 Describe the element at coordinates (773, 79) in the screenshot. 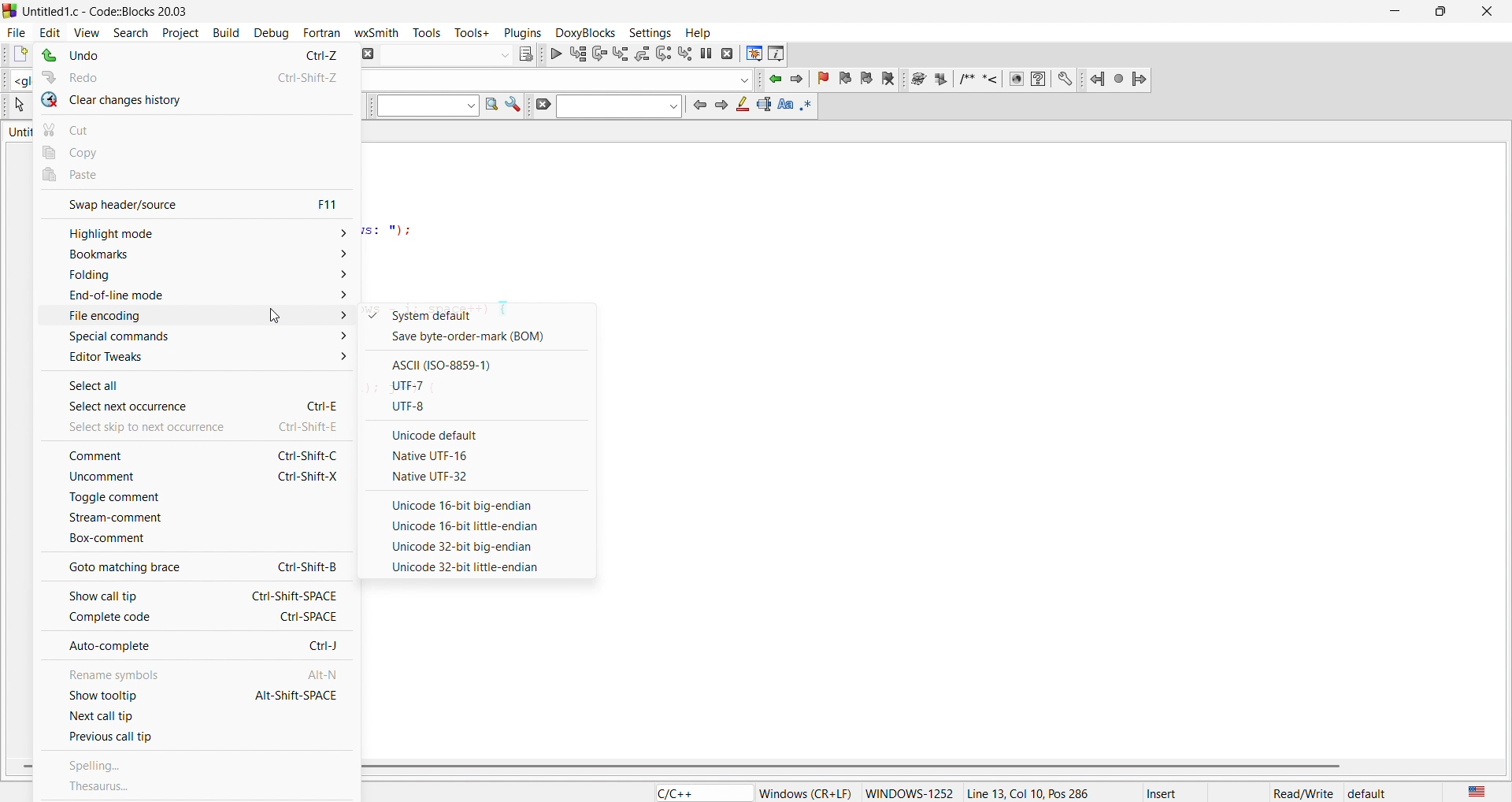

I see `jump backward` at that location.